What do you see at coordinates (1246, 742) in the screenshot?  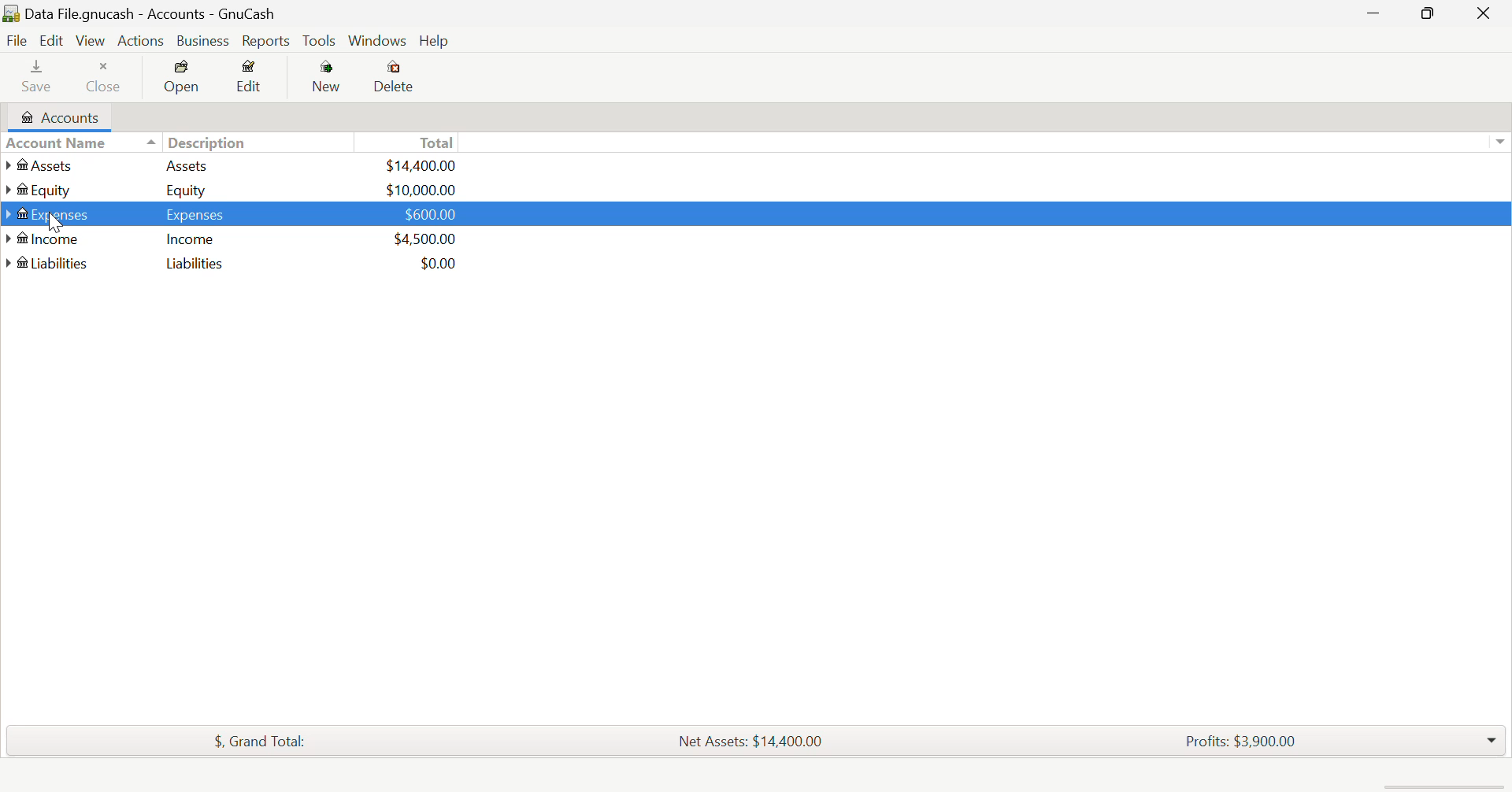 I see `Profits` at bounding box center [1246, 742].